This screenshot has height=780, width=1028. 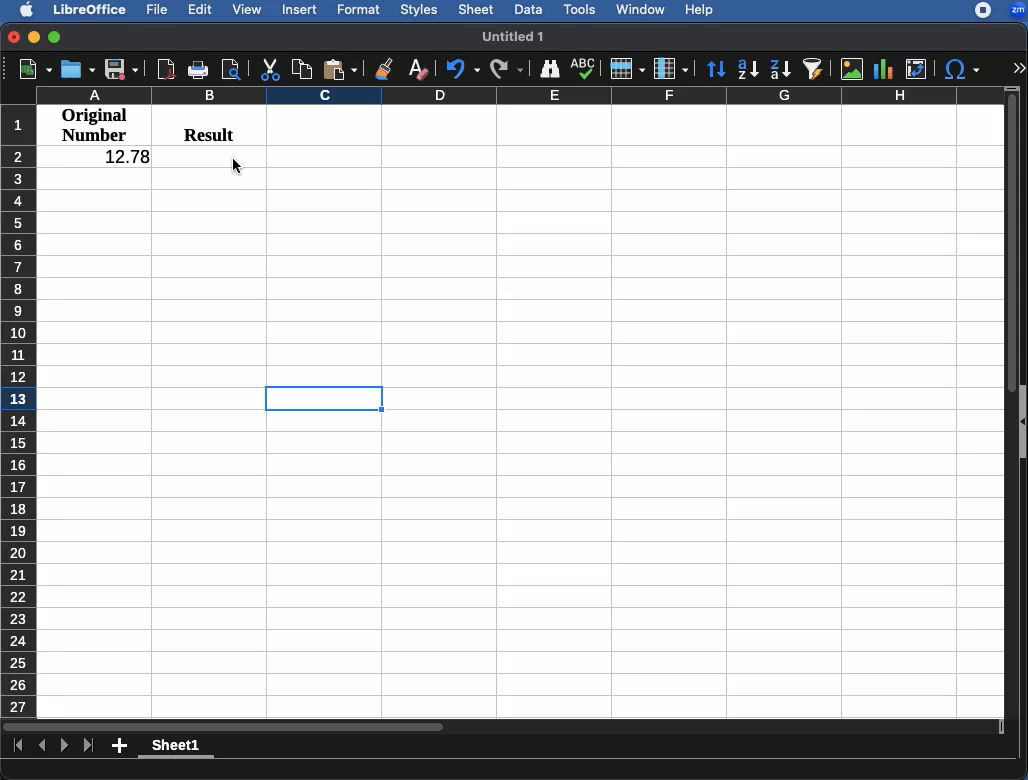 I want to click on Styles, so click(x=421, y=9).